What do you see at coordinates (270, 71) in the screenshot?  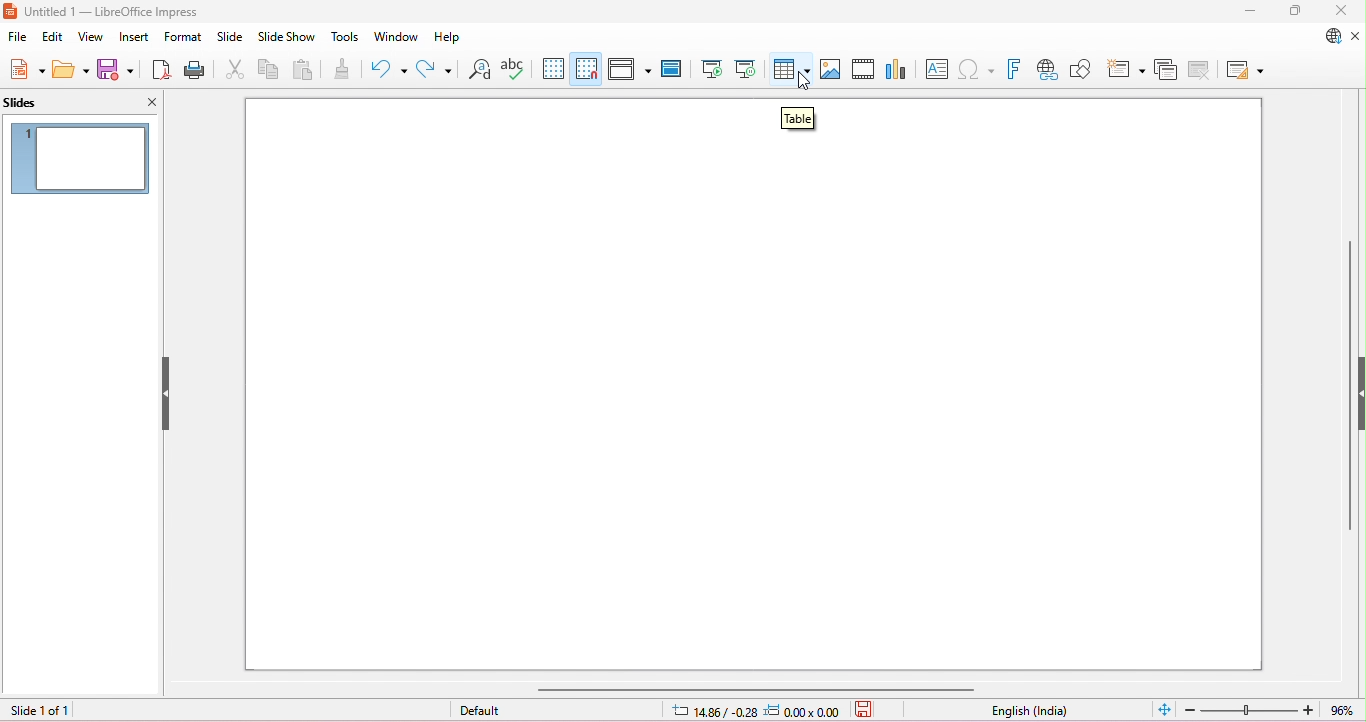 I see `copy` at bounding box center [270, 71].